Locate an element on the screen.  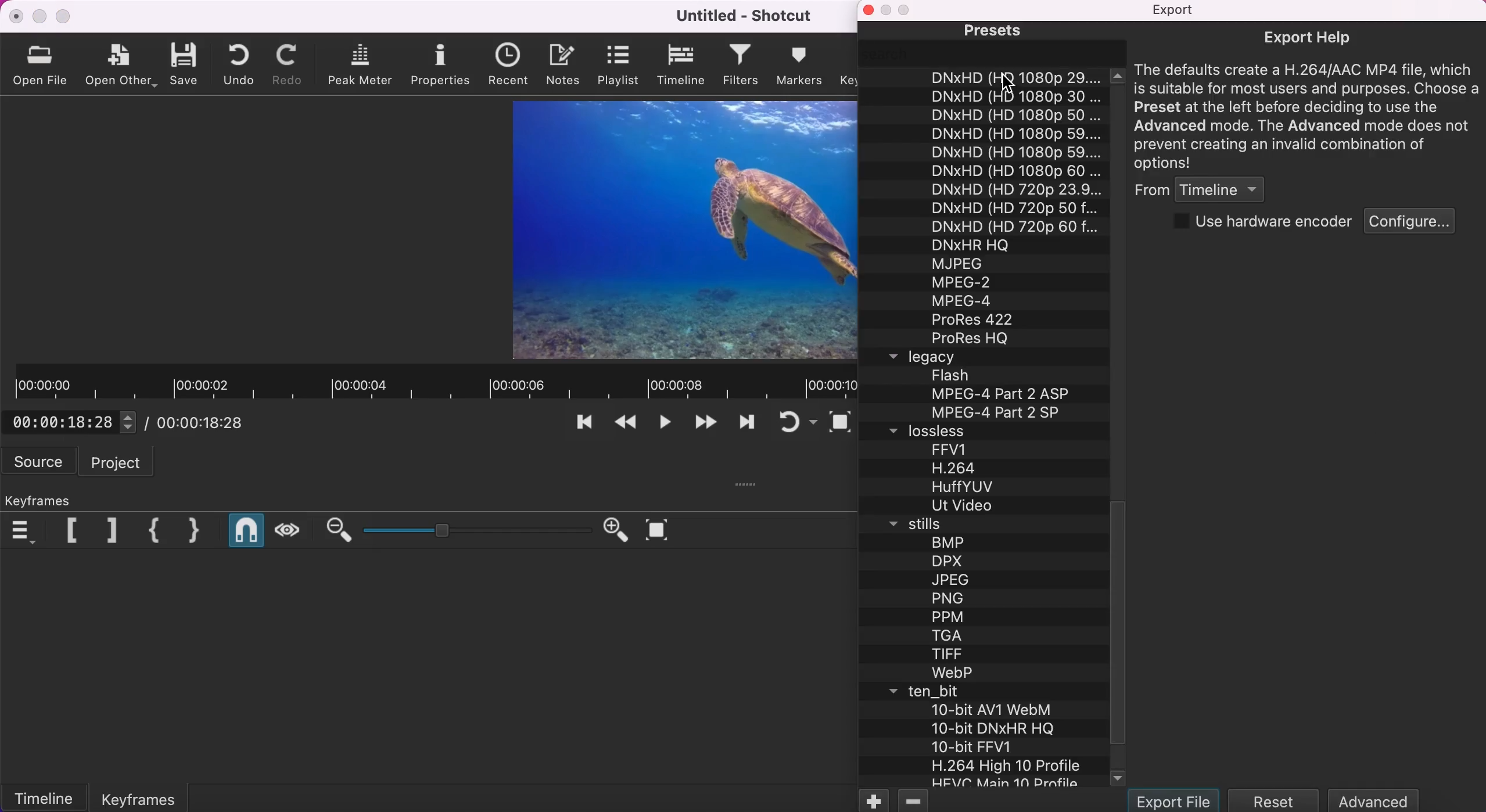
clip/display screen is located at coordinates (685, 230).